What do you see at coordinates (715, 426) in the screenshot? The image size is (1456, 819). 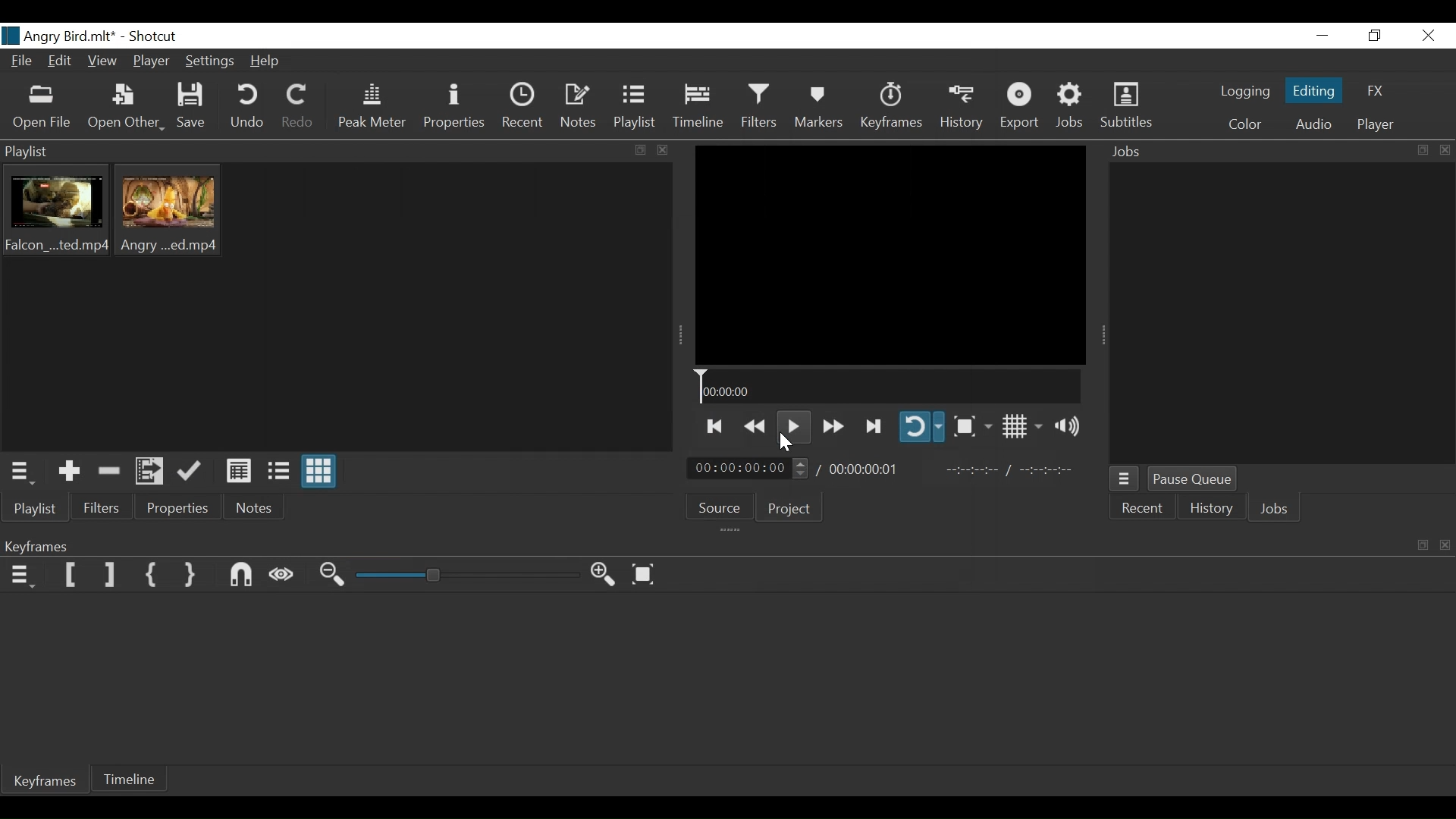 I see `Skip to the next point` at bounding box center [715, 426].